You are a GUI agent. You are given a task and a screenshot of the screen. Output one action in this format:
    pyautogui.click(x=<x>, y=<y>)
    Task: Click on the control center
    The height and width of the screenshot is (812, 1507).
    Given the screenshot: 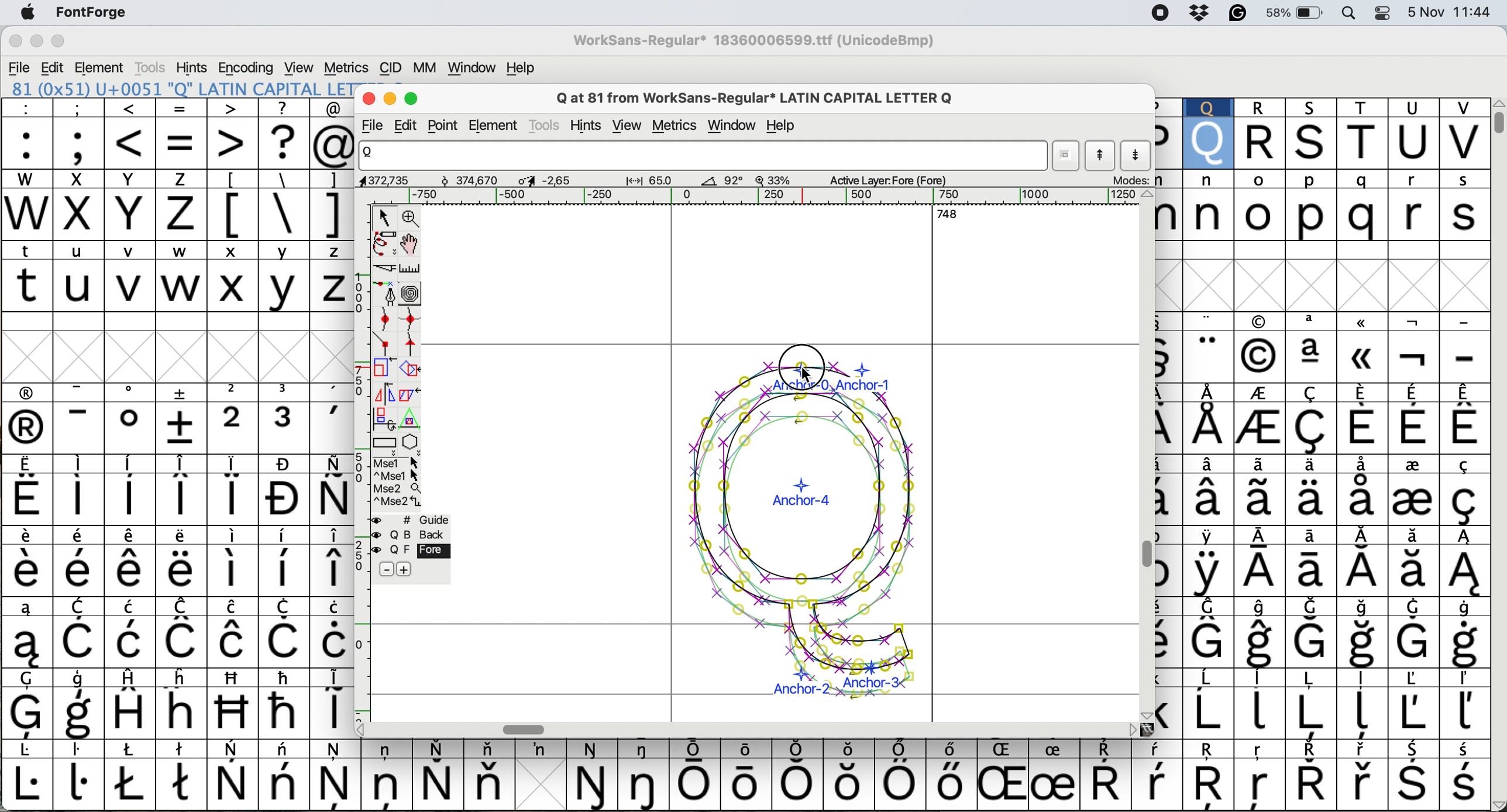 What is the action you would take?
    pyautogui.click(x=1383, y=14)
    